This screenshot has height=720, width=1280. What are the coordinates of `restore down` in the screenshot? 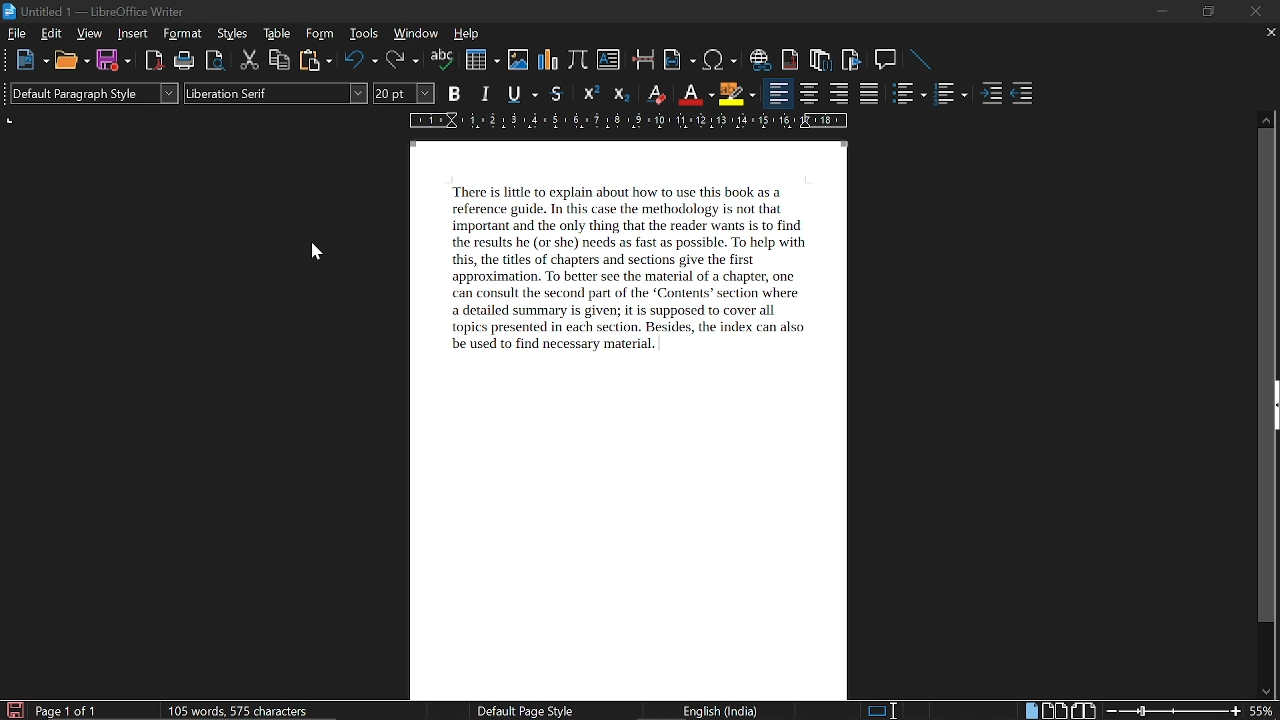 It's located at (1206, 12).